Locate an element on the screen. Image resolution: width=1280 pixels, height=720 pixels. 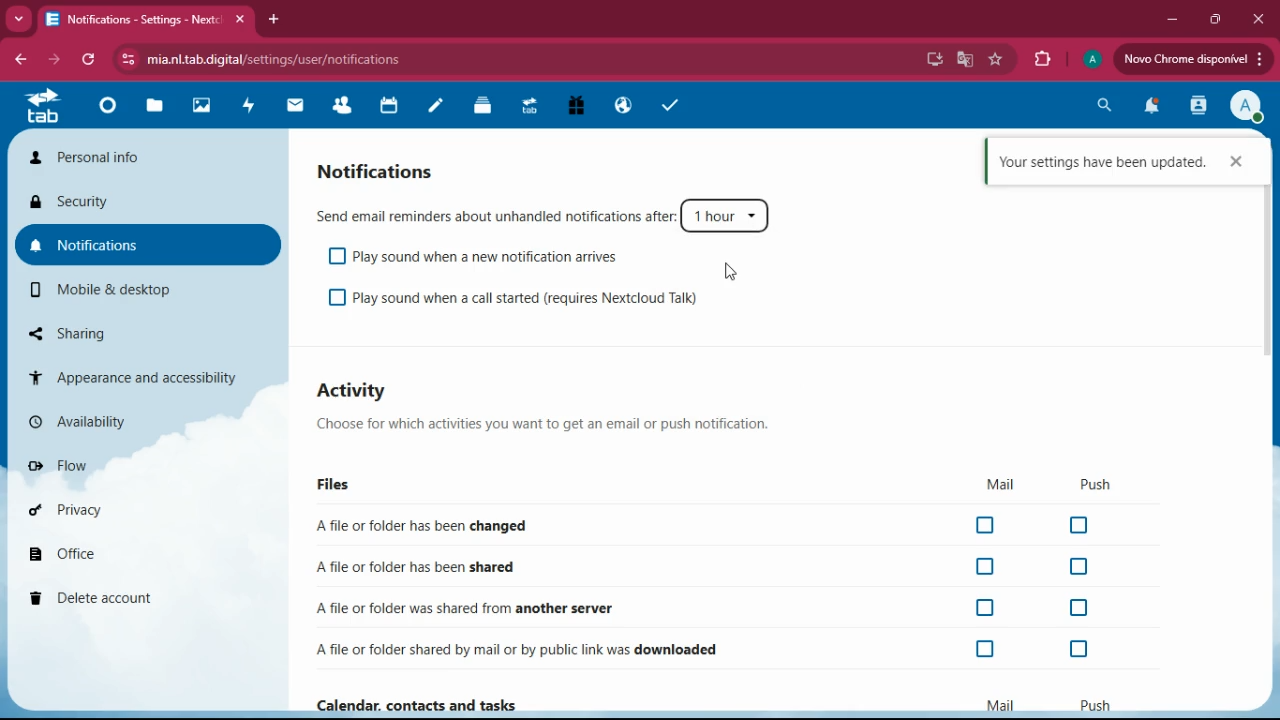
off is located at coordinates (986, 650).